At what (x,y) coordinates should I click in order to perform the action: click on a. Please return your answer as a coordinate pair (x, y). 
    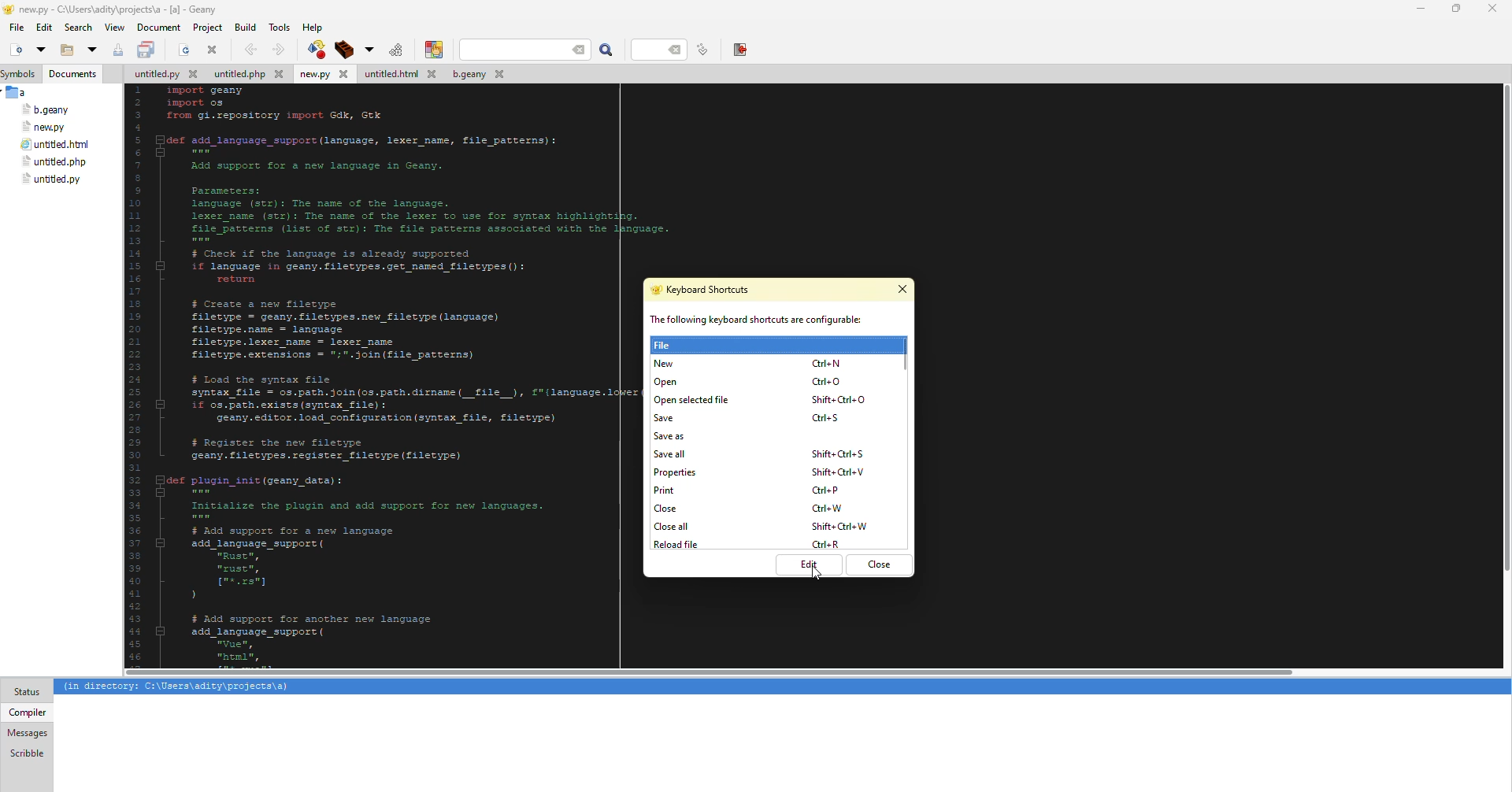
    Looking at the image, I should click on (18, 92).